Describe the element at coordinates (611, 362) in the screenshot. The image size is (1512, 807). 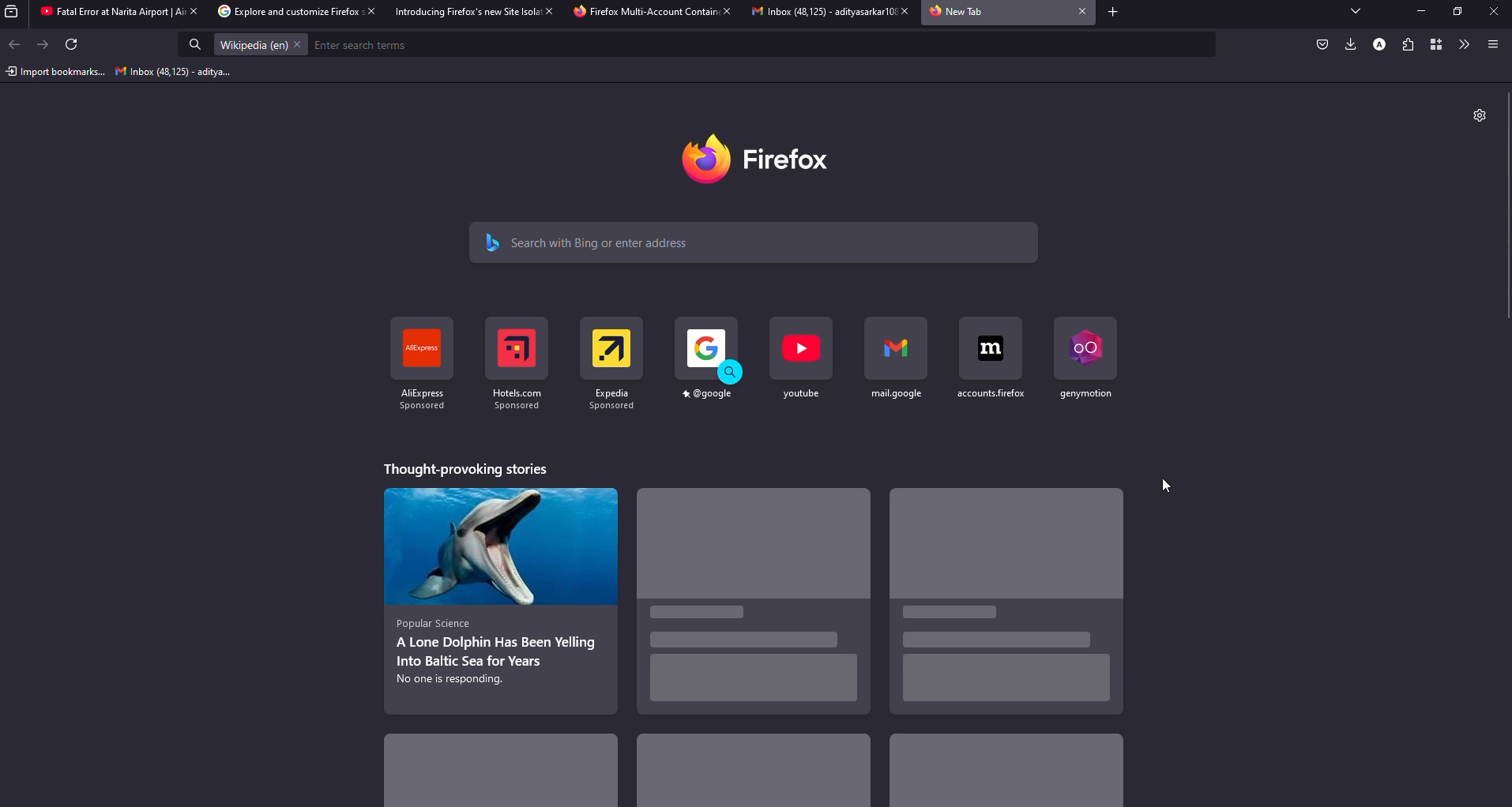
I see `shortcut` at that location.